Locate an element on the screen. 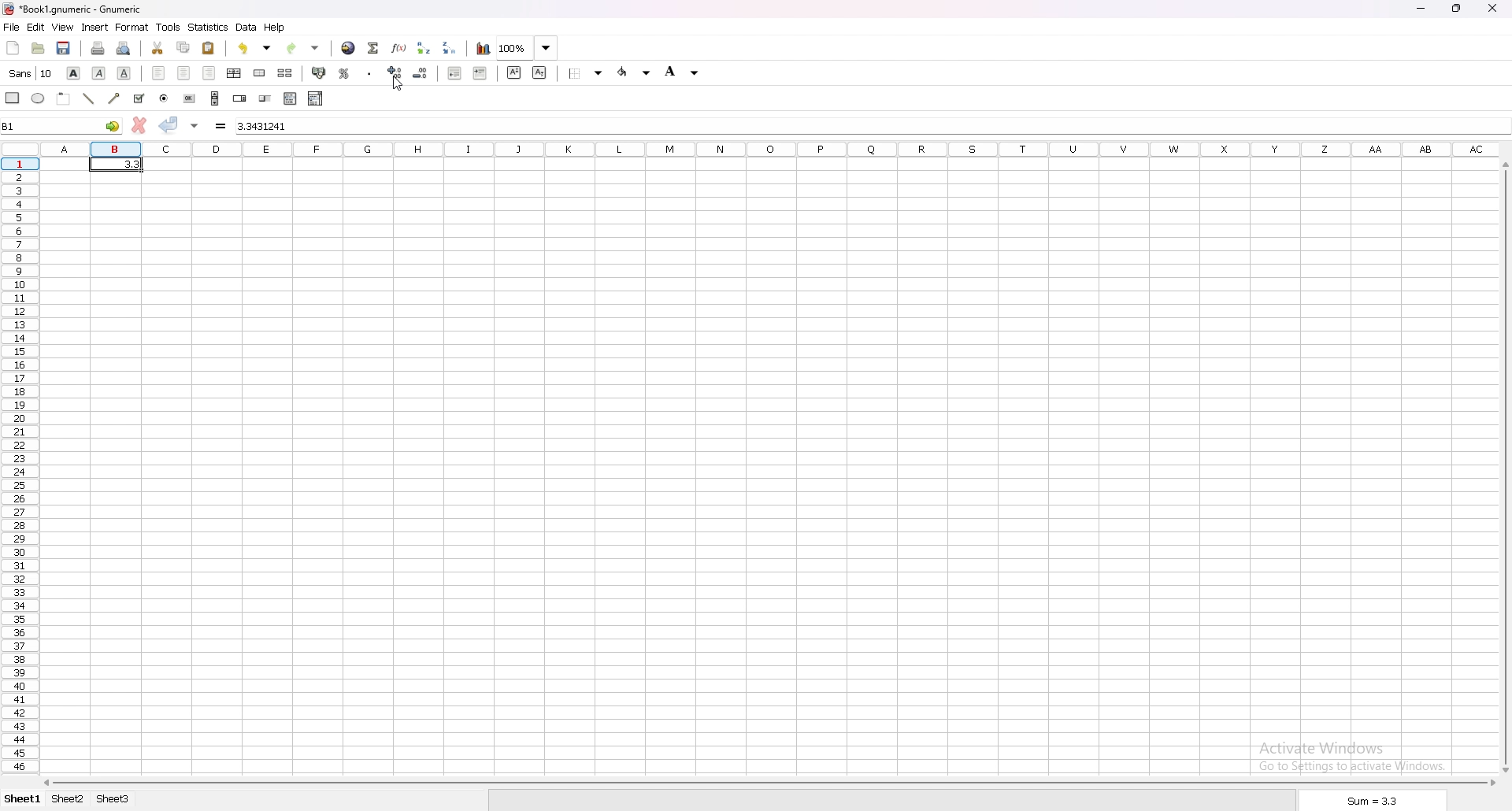 The image size is (1512, 811). slider is located at coordinates (268, 98).